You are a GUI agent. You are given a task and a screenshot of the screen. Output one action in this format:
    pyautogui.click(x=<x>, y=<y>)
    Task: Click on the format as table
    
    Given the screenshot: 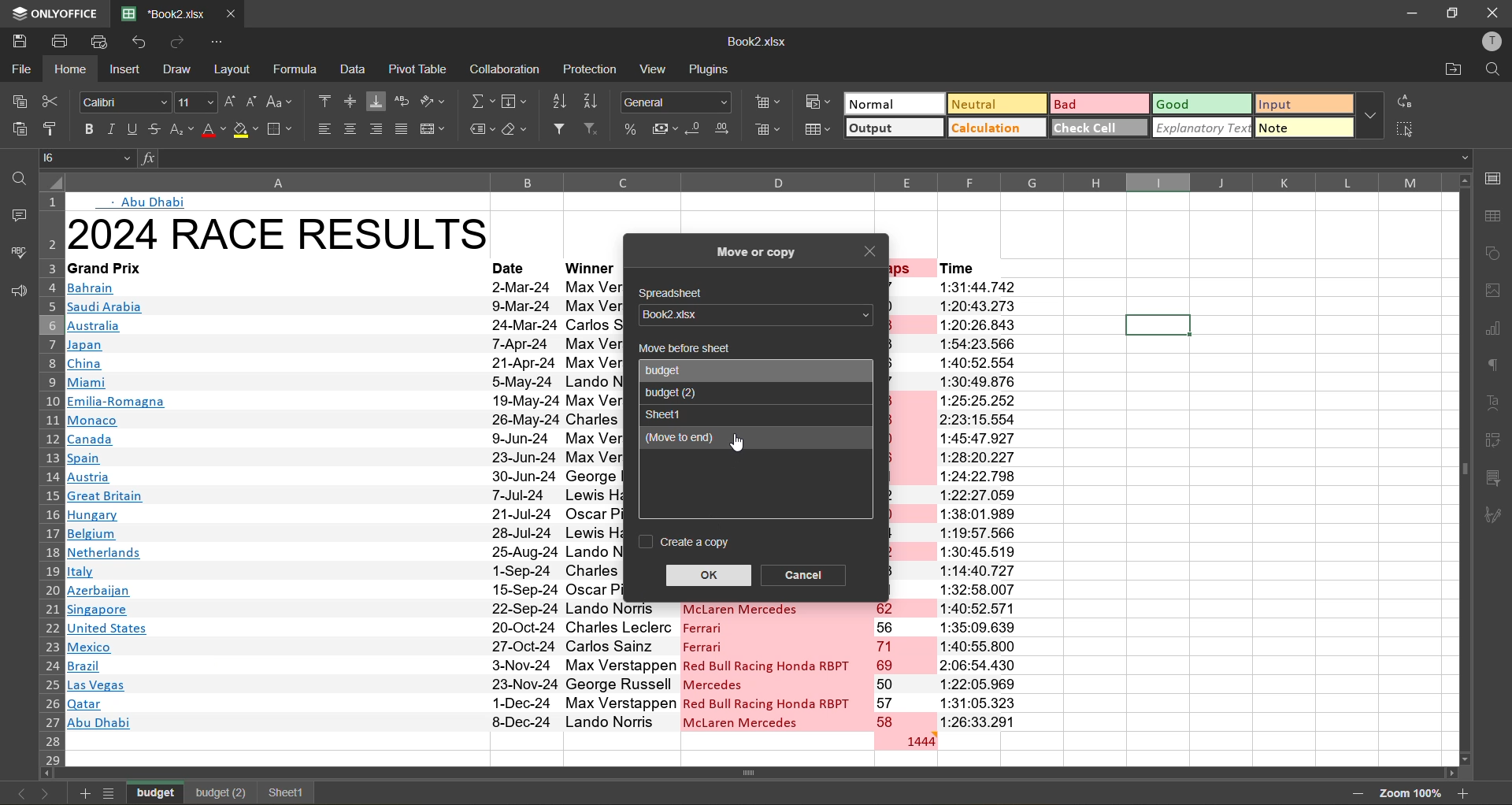 What is the action you would take?
    pyautogui.click(x=819, y=129)
    